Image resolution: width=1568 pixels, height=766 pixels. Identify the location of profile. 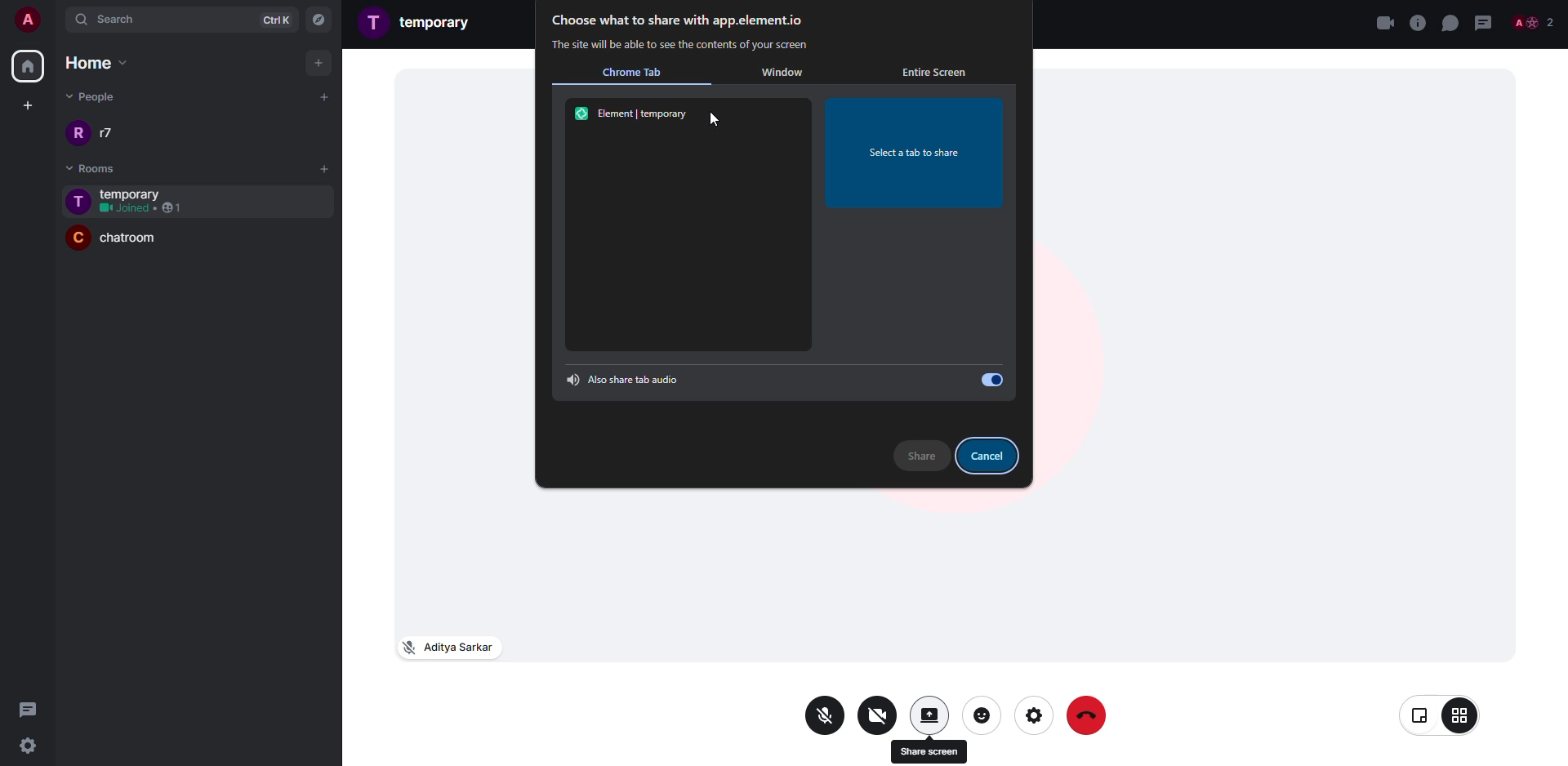
(78, 202).